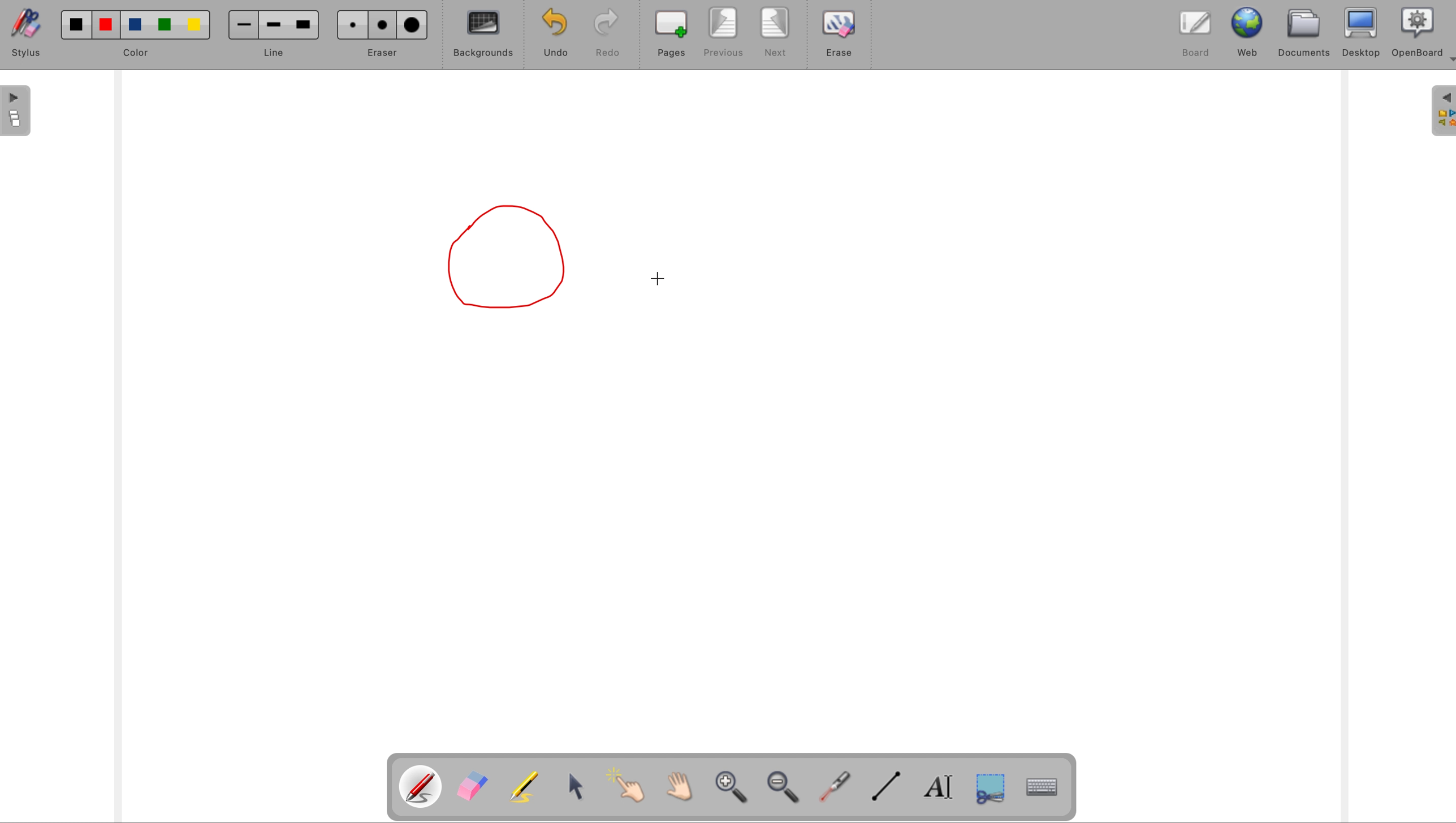  I want to click on capture part of screen, so click(998, 792).